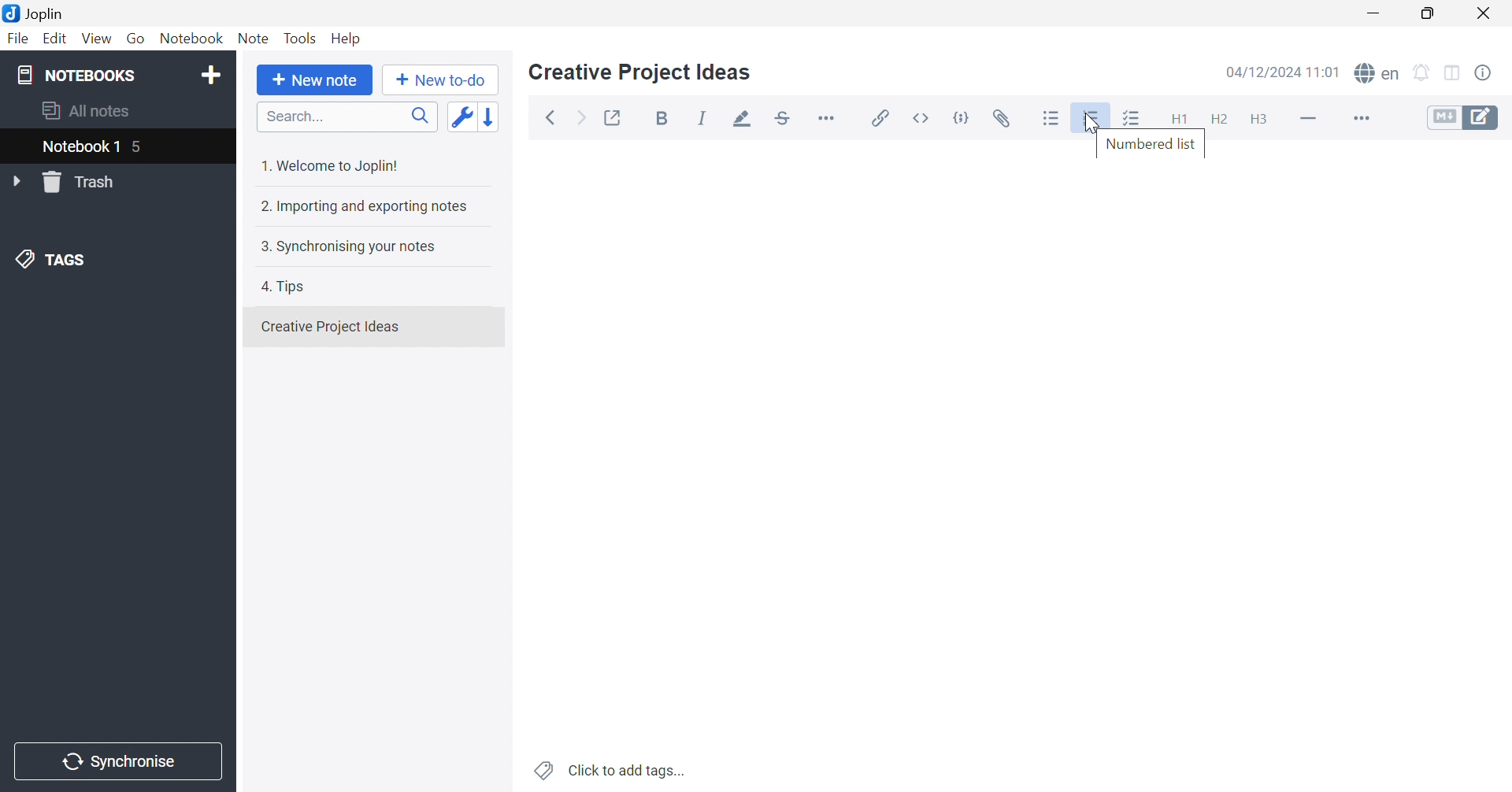  Describe the element at coordinates (313, 80) in the screenshot. I see `New note` at that location.